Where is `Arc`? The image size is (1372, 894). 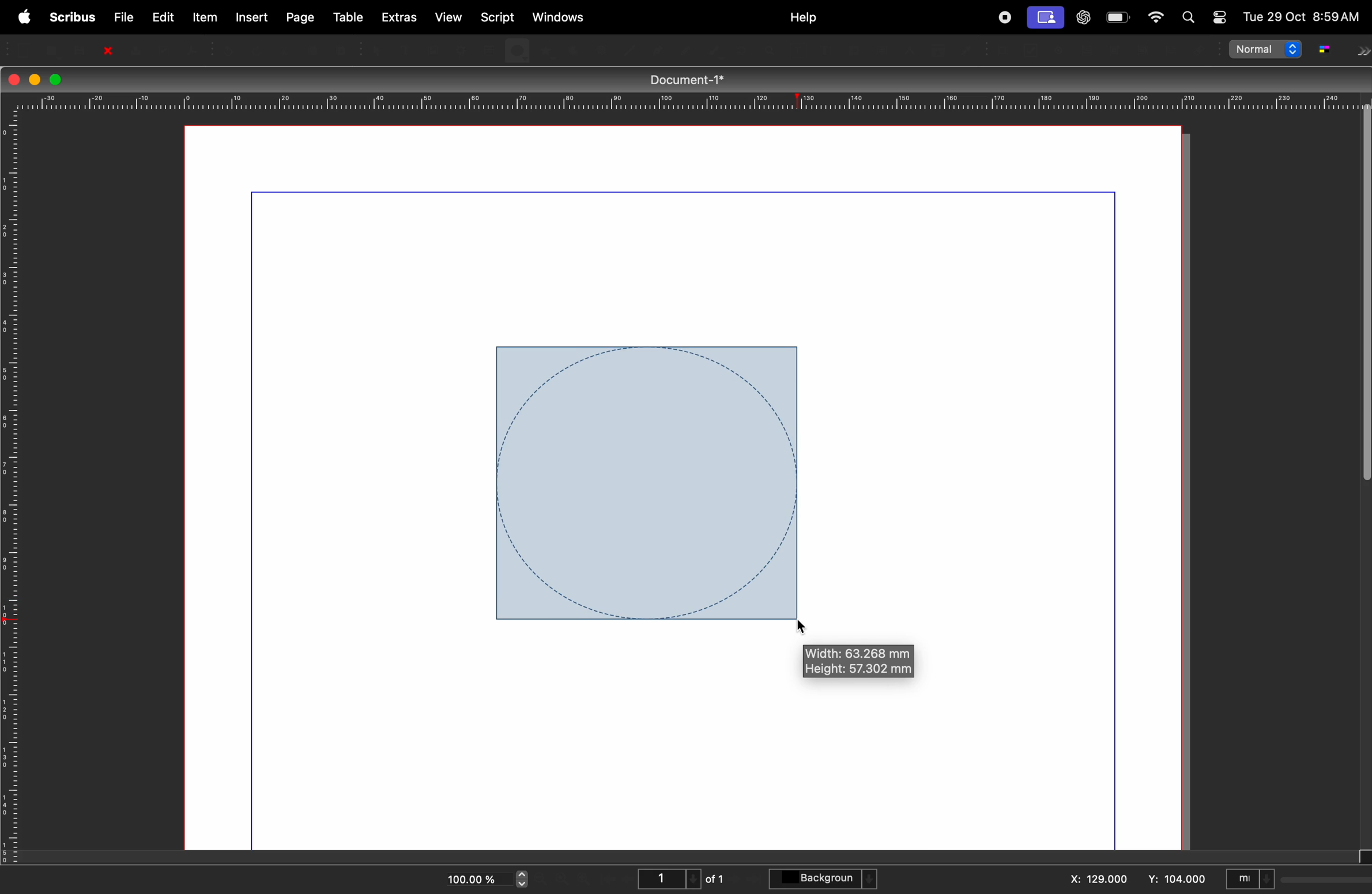
Arc is located at coordinates (572, 50).